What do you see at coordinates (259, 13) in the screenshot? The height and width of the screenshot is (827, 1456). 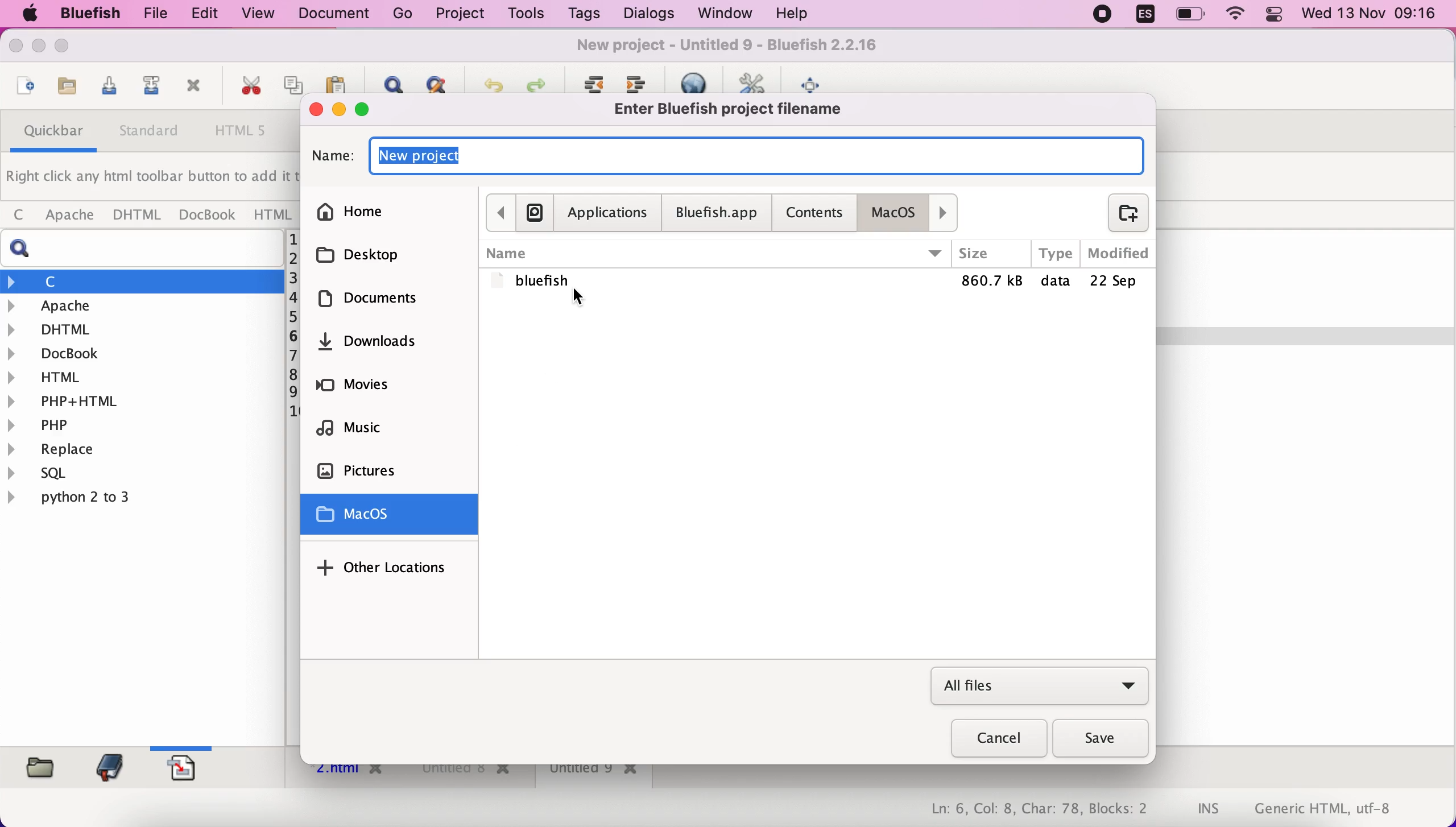 I see `view` at bounding box center [259, 13].